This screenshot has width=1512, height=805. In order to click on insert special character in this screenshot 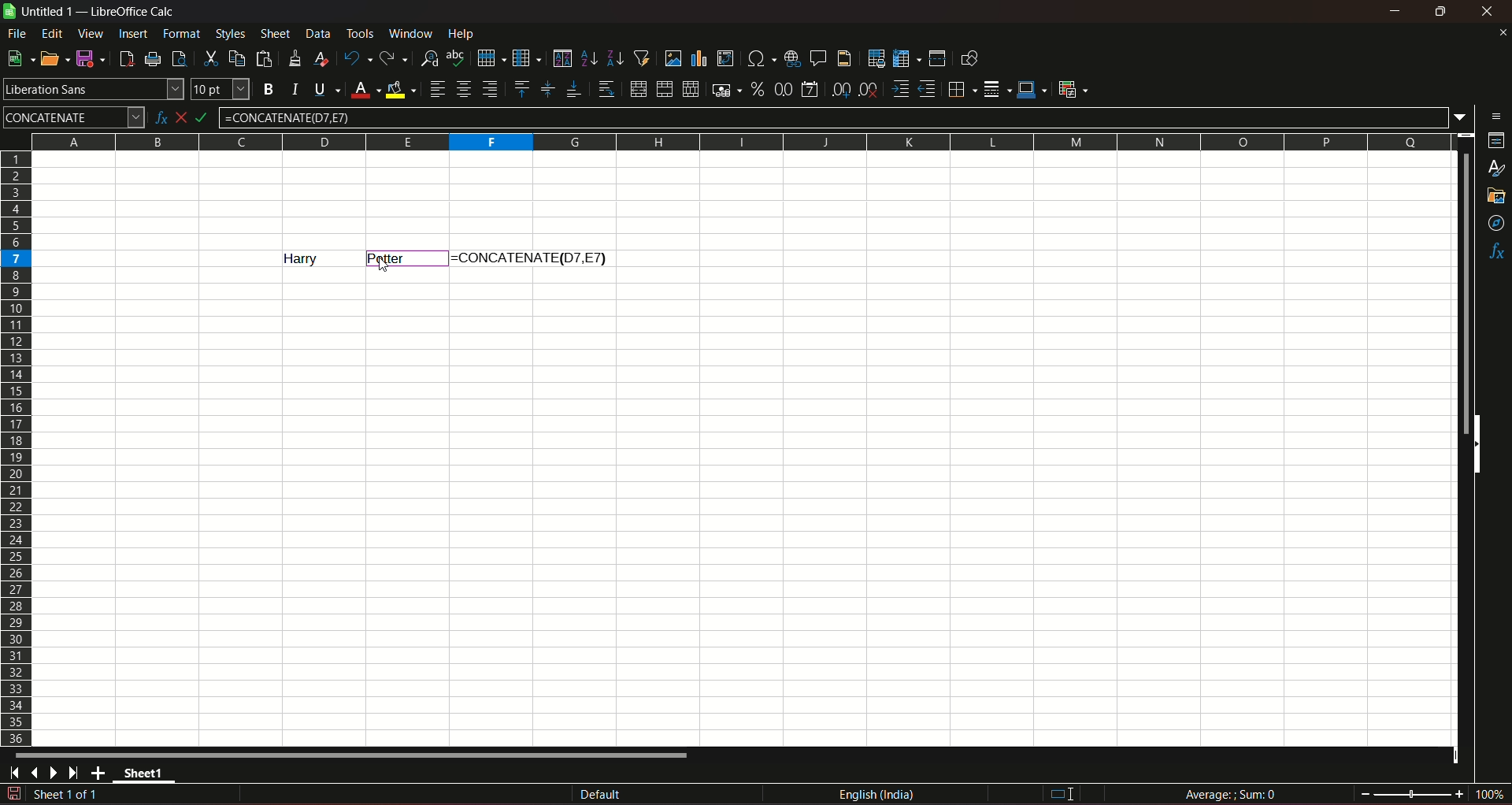, I will do `click(759, 57)`.